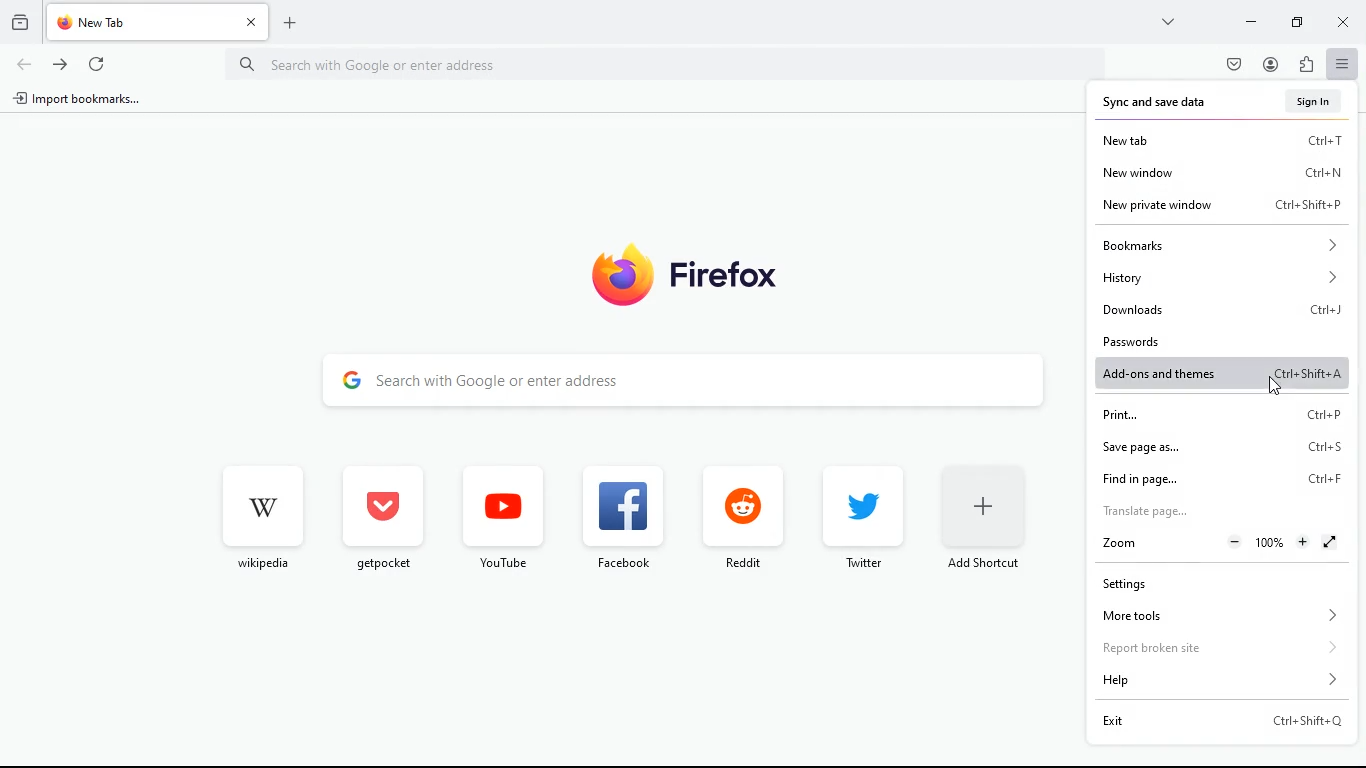  What do you see at coordinates (1208, 337) in the screenshot?
I see `passwords` at bounding box center [1208, 337].